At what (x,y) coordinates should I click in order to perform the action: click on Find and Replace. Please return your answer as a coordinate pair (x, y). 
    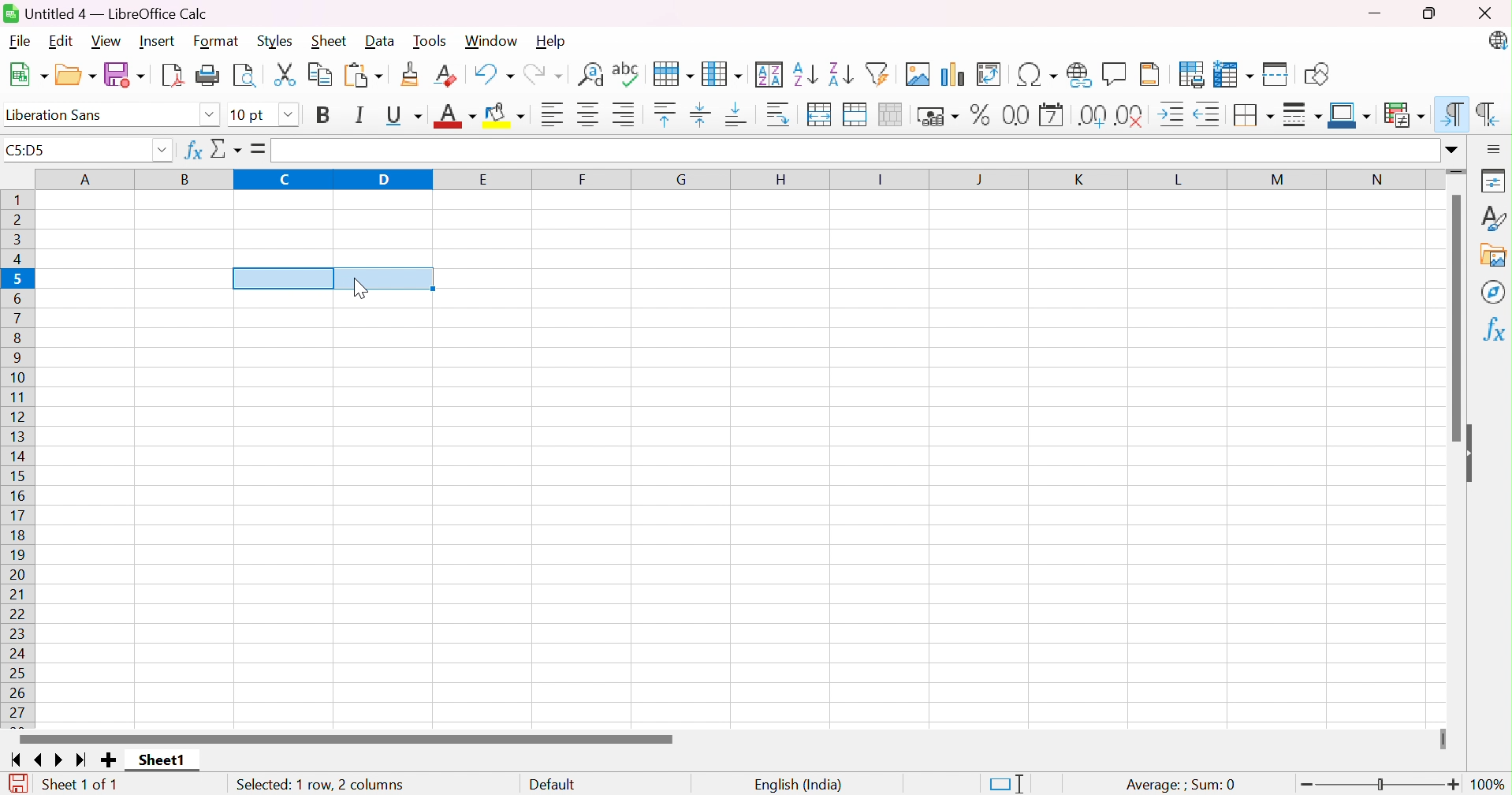
    Looking at the image, I should click on (591, 74).